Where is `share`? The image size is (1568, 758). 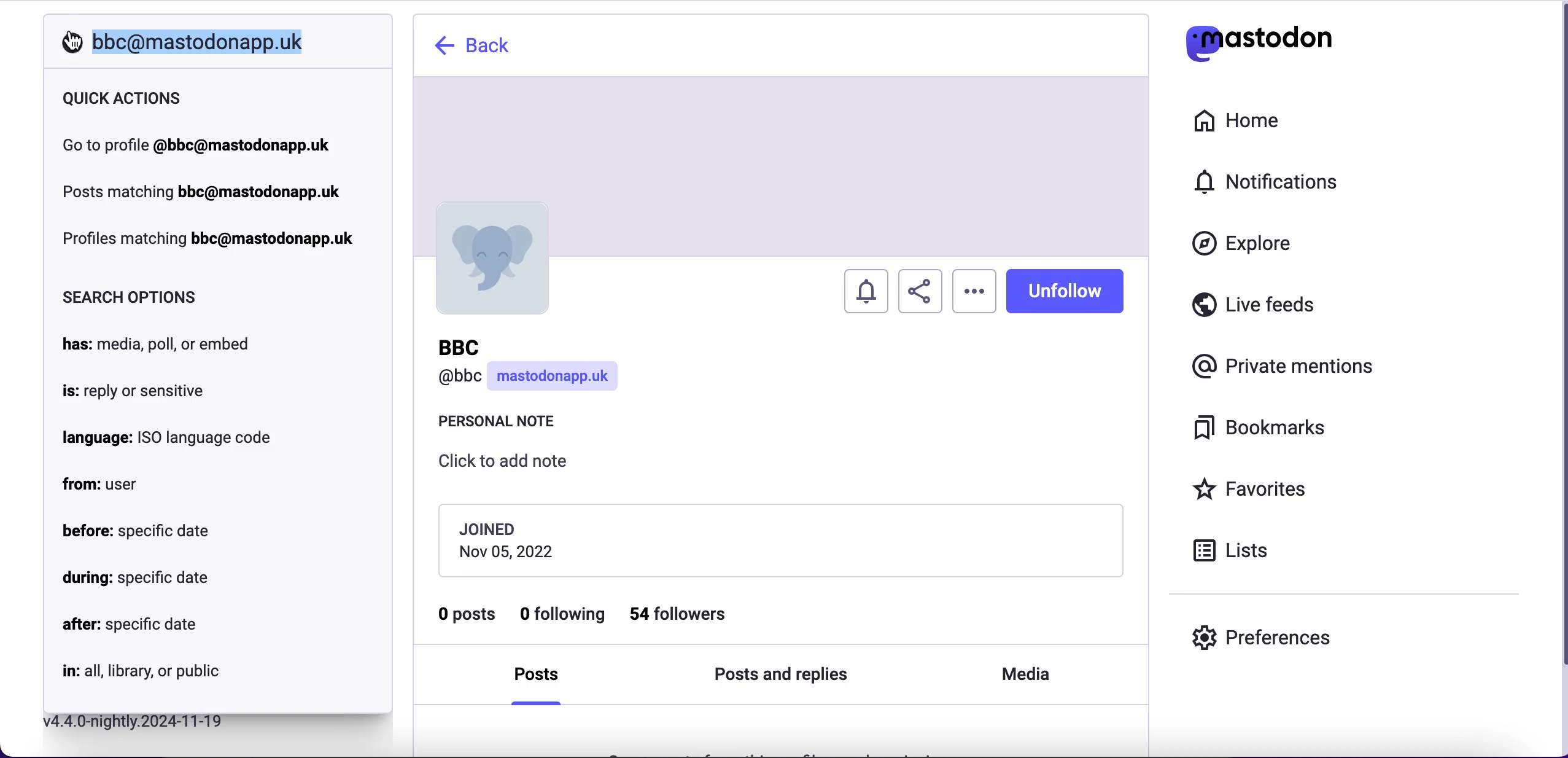
share is located at coordinates (920, 292).